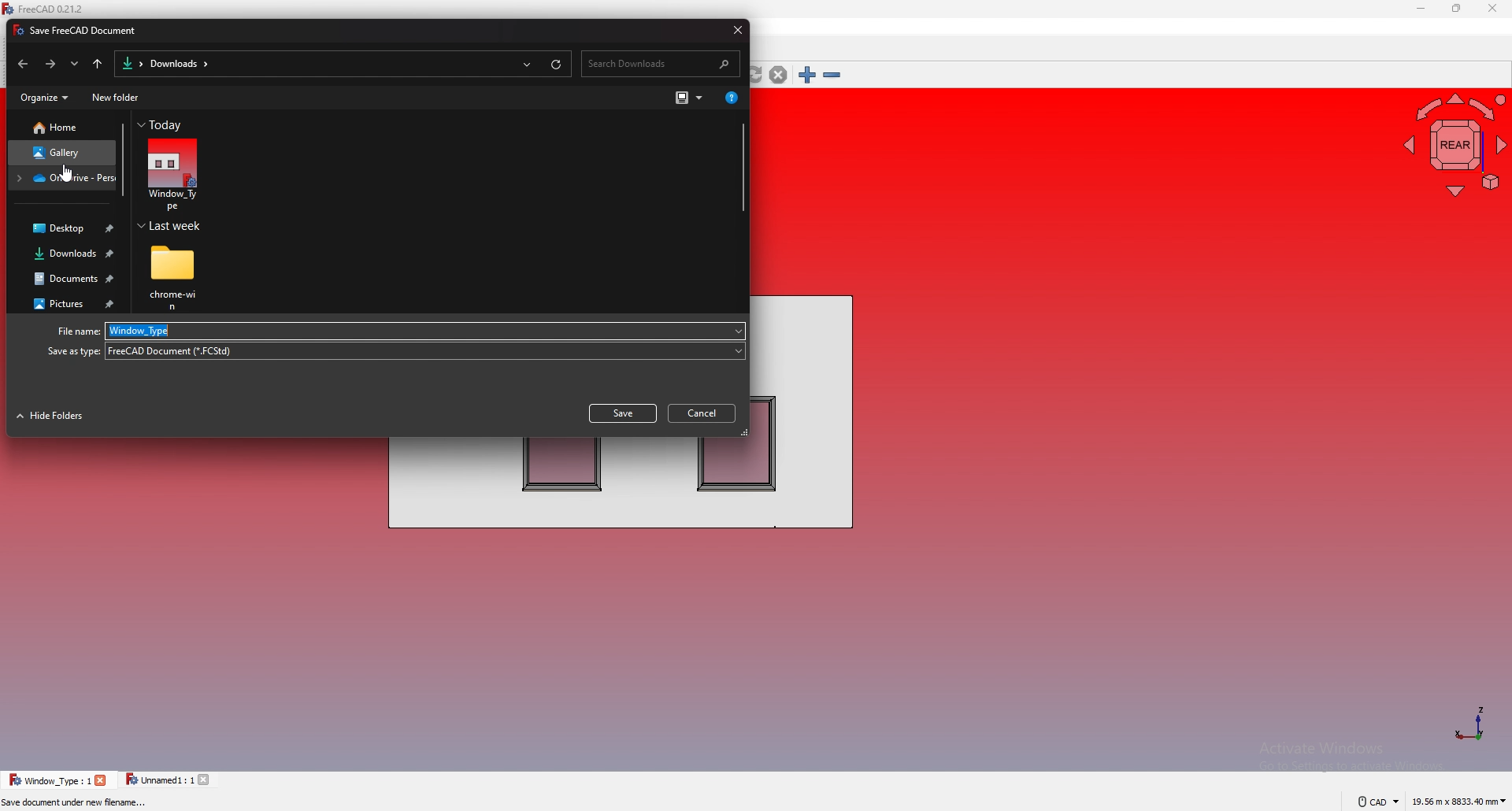 This screenshot has height=811, width=1512. Describe the element at coordinates (80, 31) in the screenshot. I see `Save FreeCAD Document` at that location.